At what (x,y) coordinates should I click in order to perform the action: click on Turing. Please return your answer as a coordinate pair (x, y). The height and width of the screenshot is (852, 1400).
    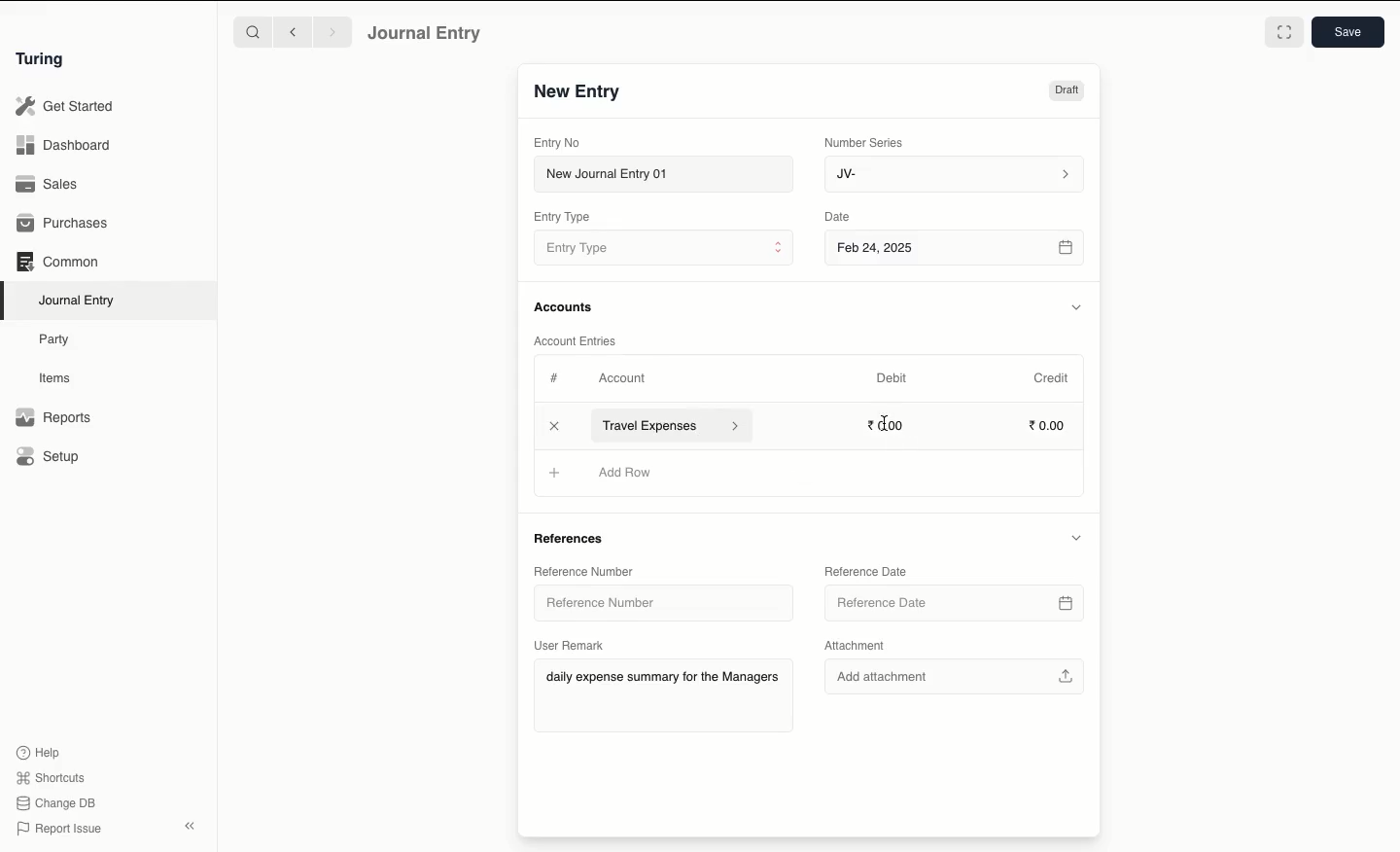
    Looking at the image, I should click on (44, 60).